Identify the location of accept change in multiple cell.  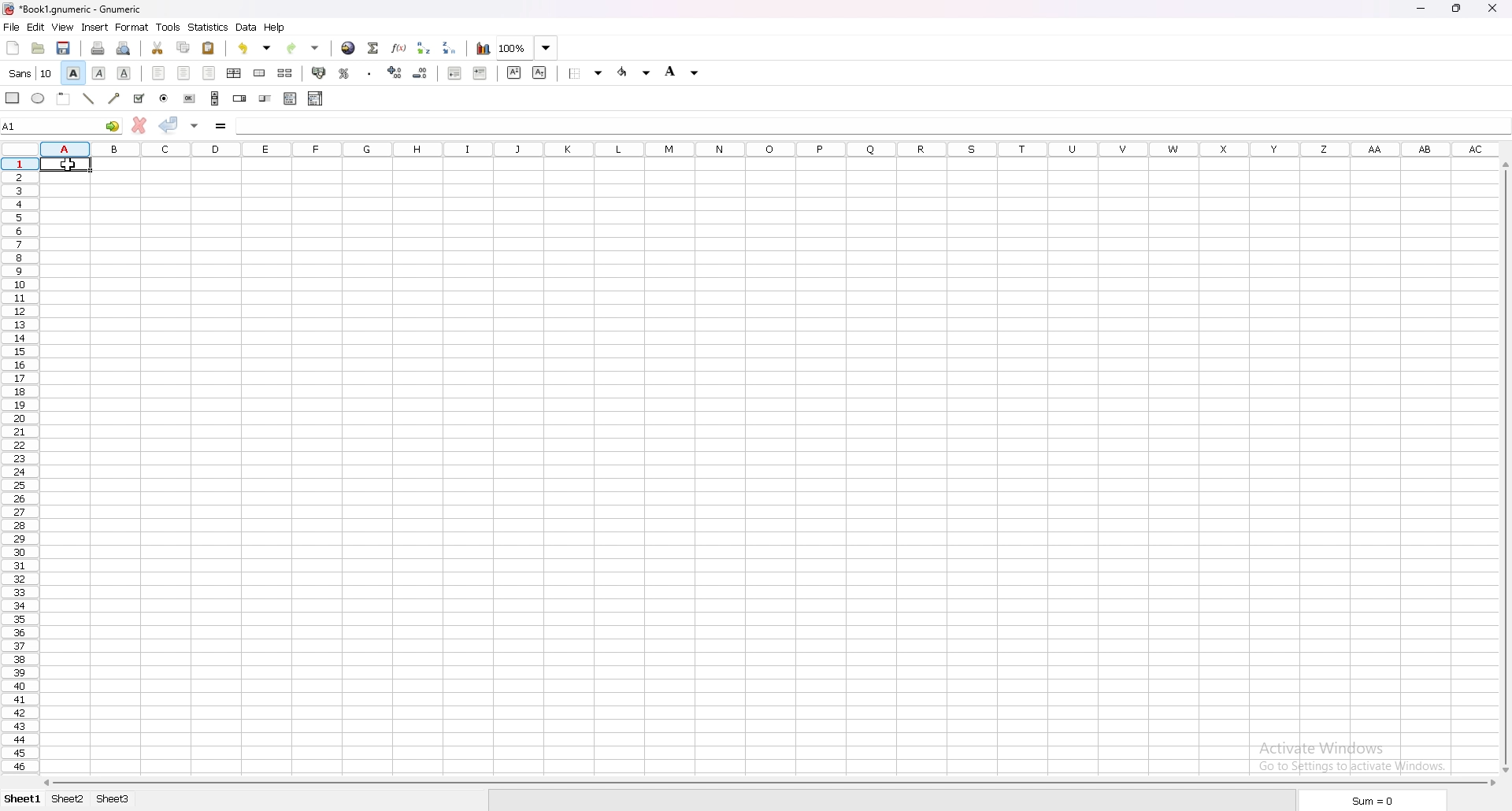
(195, 126).